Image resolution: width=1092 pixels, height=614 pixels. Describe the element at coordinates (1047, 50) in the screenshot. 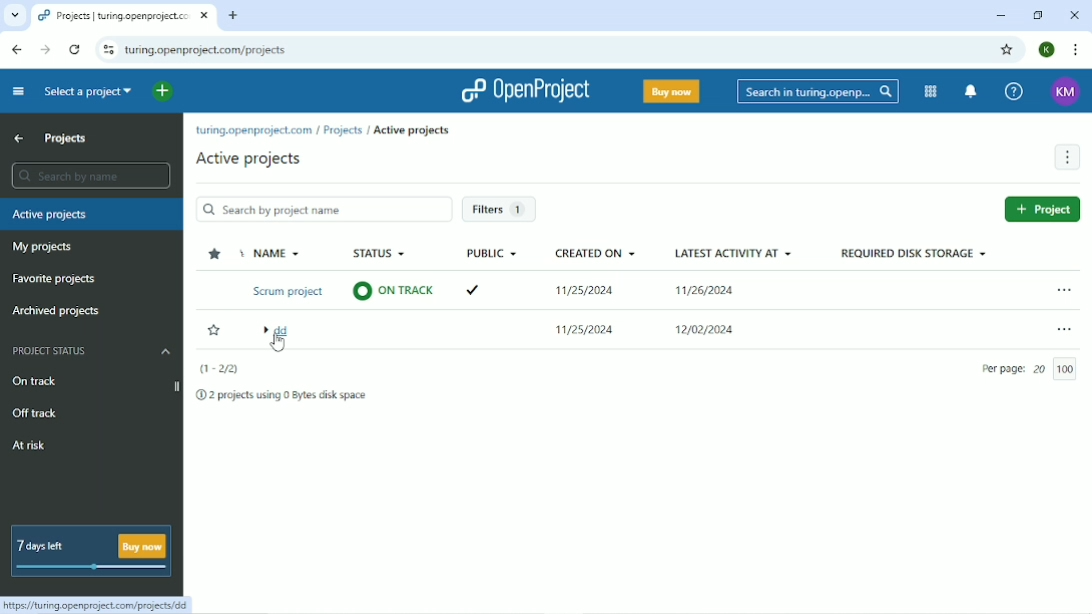

I see `Account` at that location.